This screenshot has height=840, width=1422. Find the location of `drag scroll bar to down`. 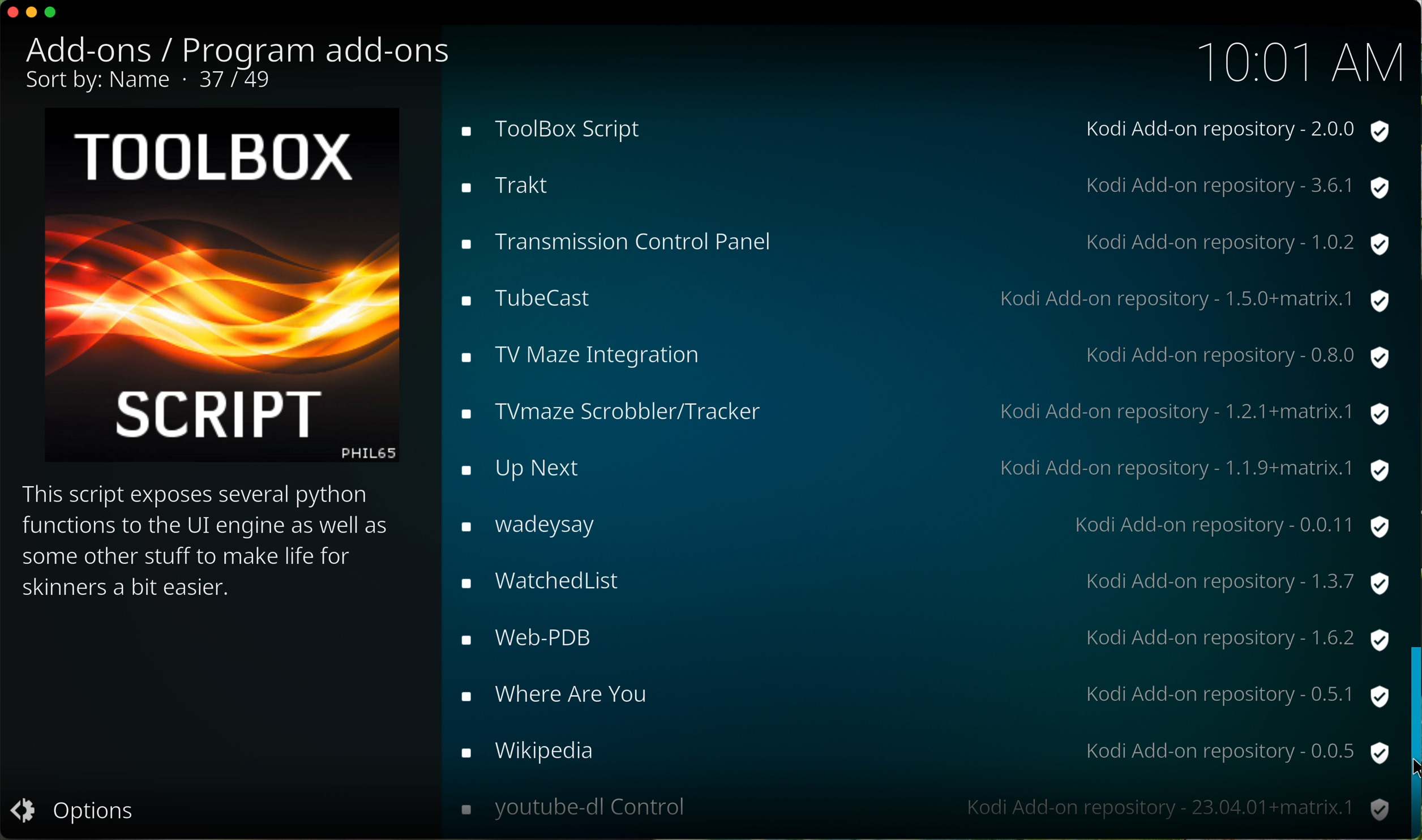

drag scroll bar to down is located at coordinates (1411, 736).